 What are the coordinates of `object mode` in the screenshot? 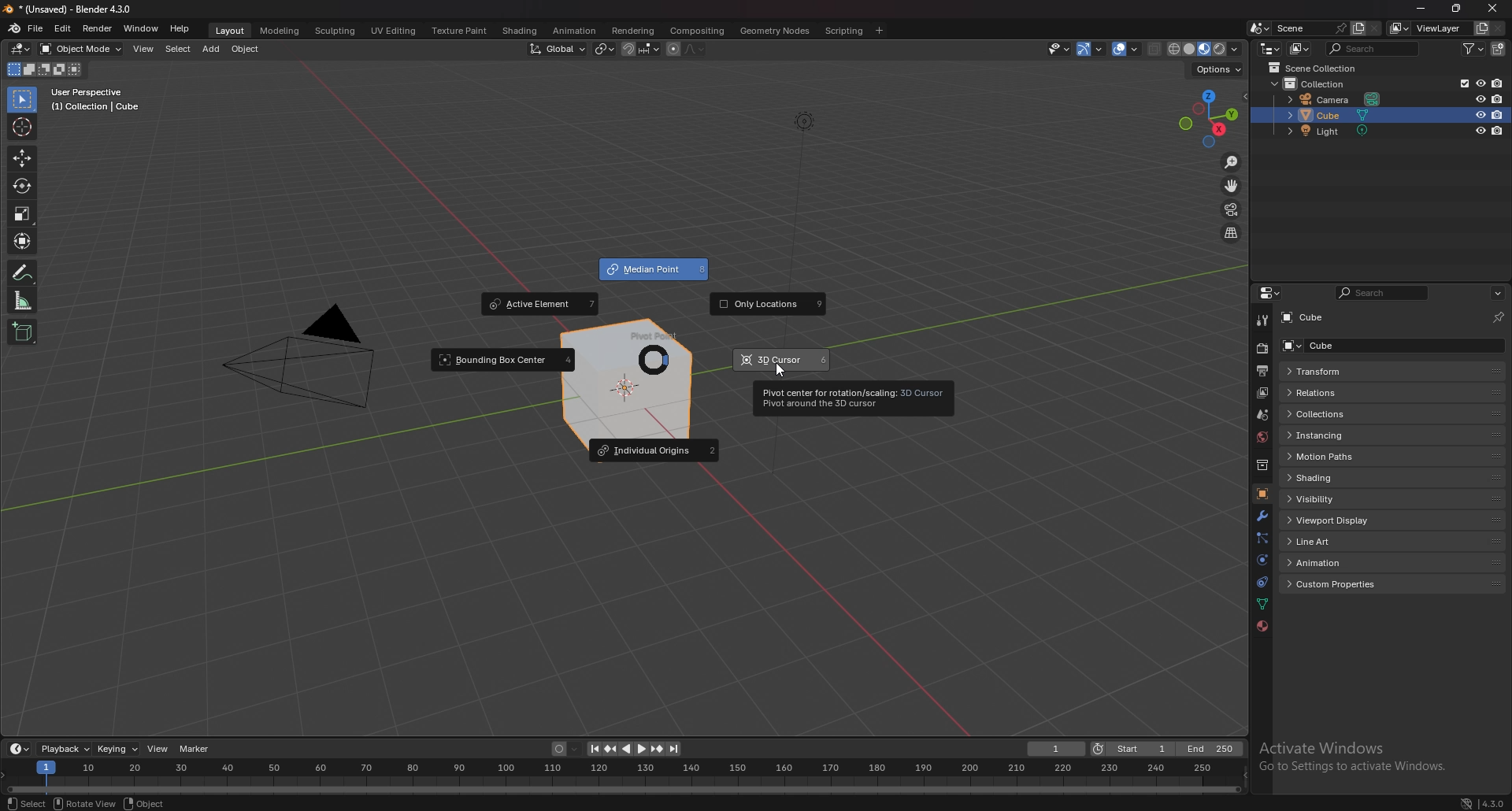 It's located at (82, 48).